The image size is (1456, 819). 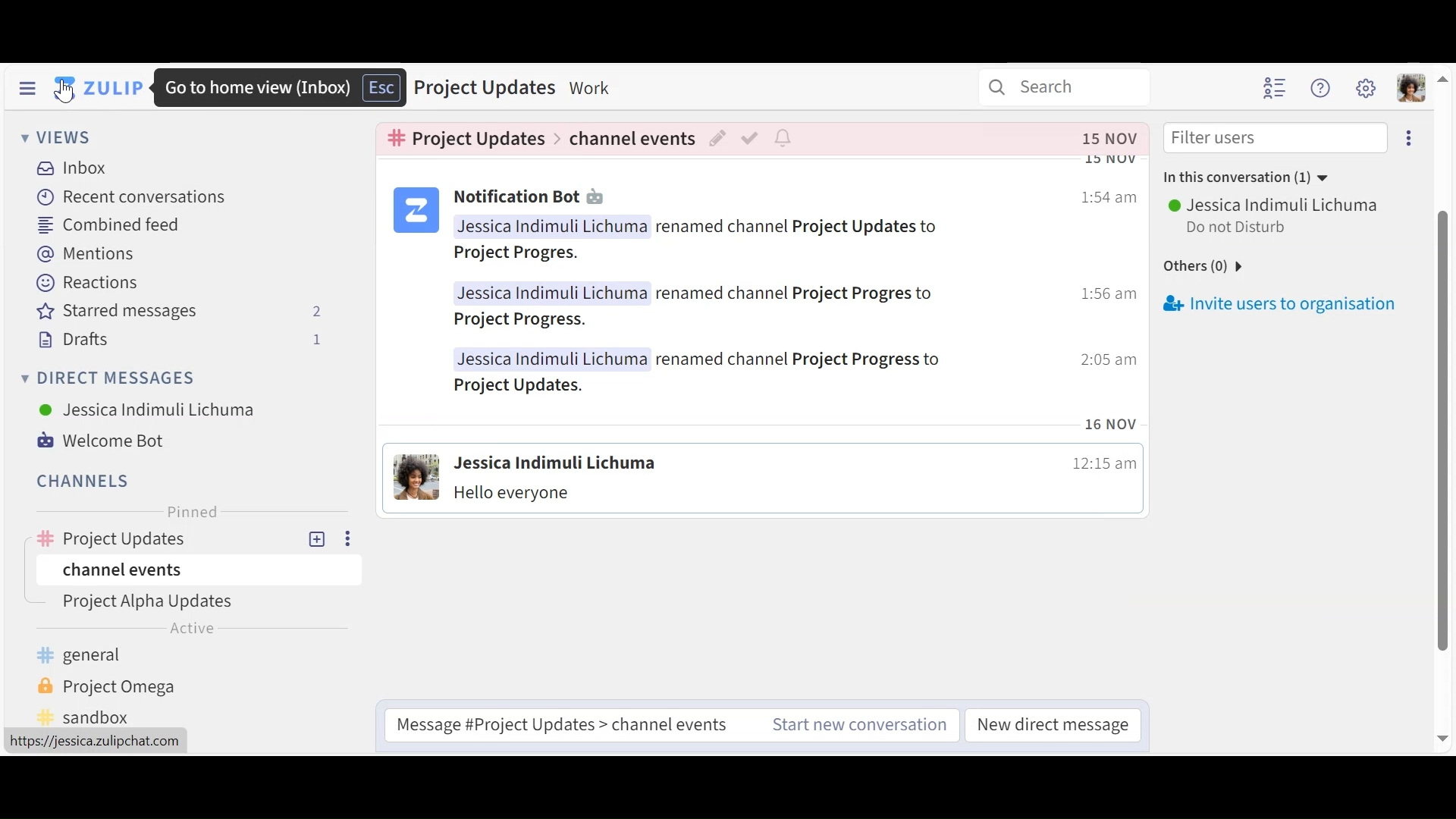 I want to click on Personal menu, so click(x=1411, y=88).